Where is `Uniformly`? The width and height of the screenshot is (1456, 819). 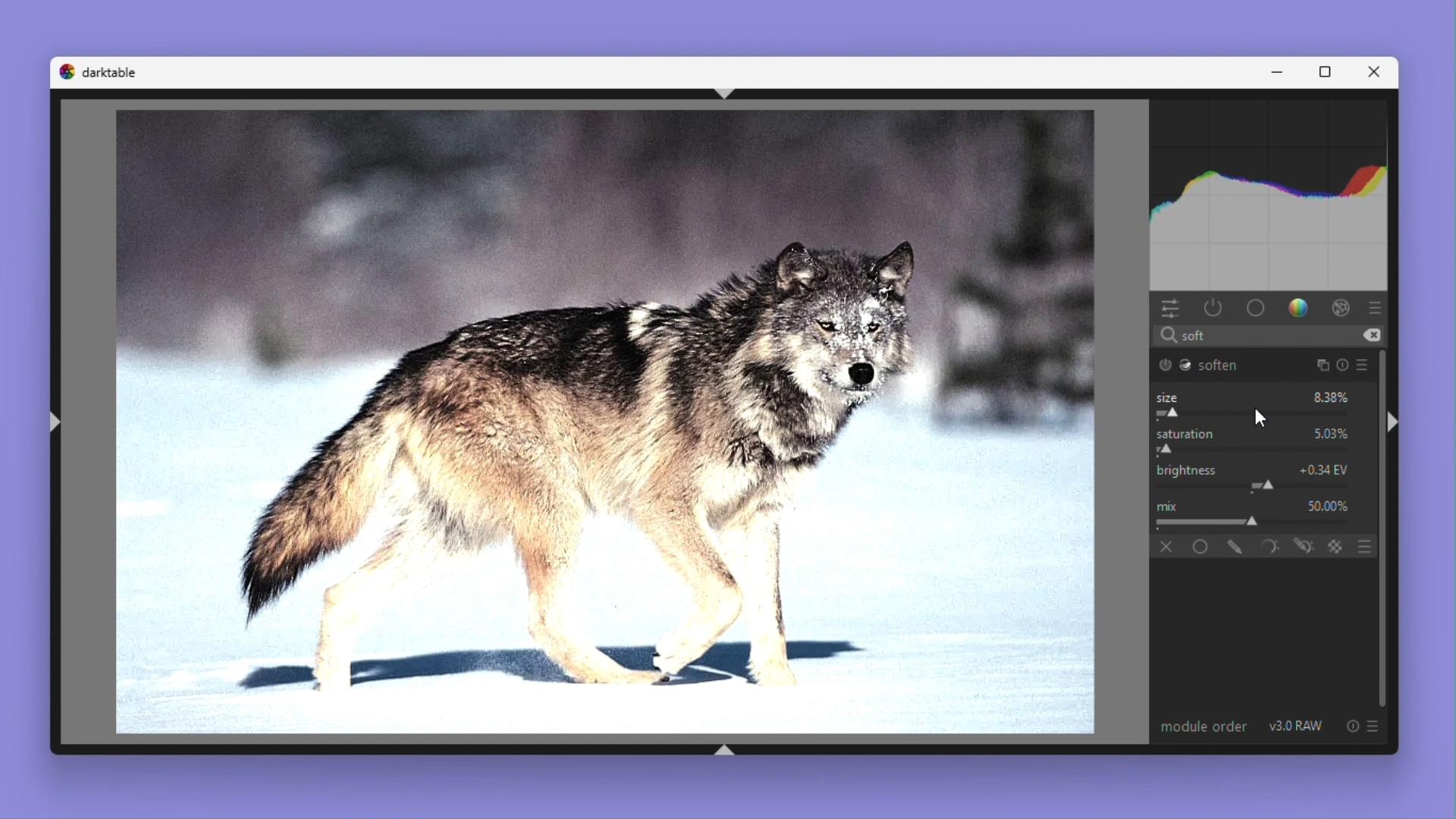
Uniformly is located at coordinates (1203, 546).